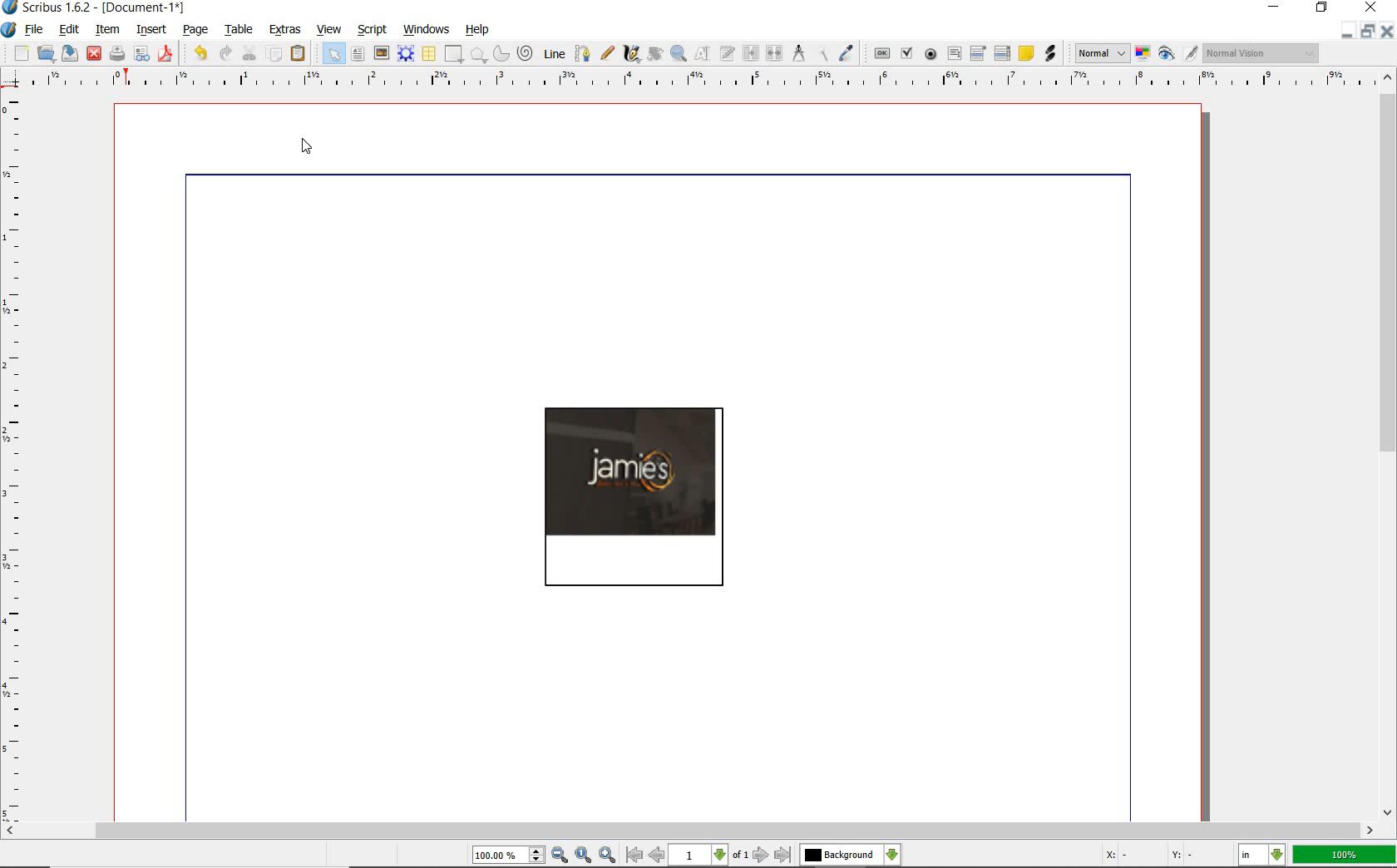  What do you see at coordinates (200, 52) in the screenshot?
I see `undo` at bounding box center [200, 52].